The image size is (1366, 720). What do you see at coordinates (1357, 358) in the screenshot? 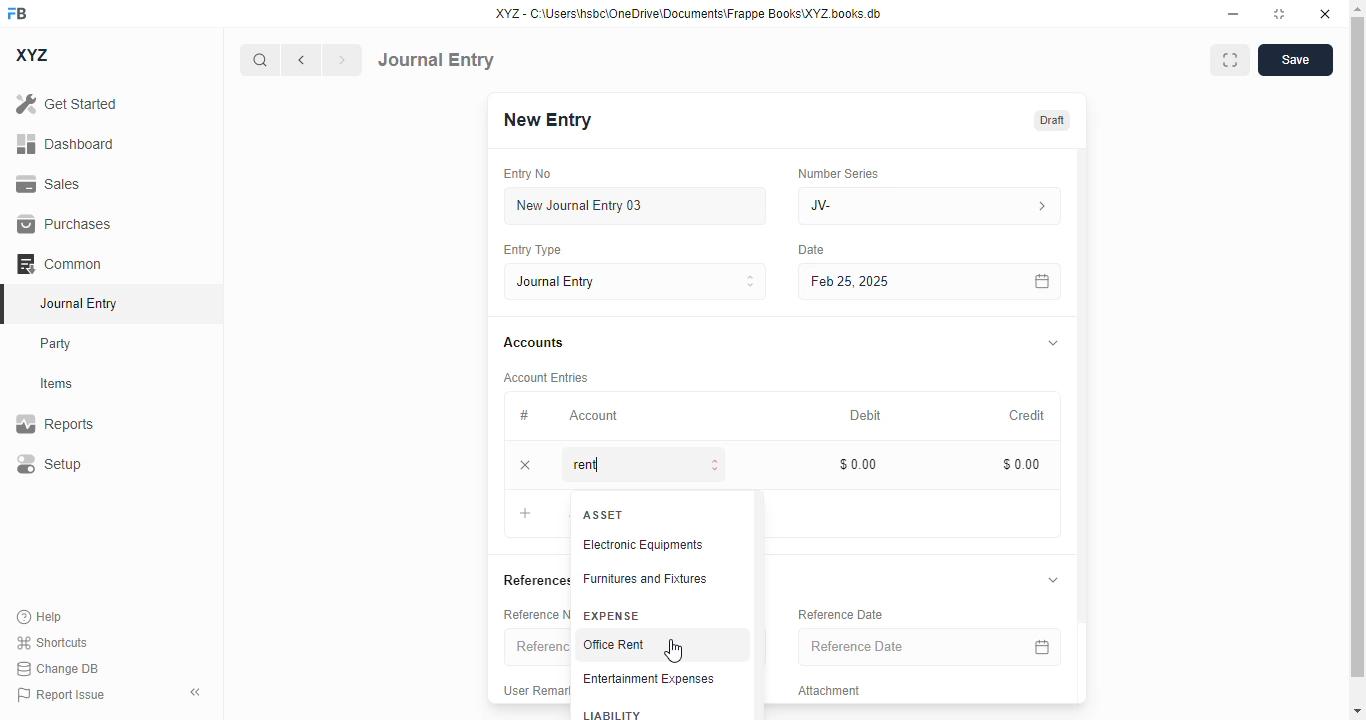
I see `scroll bar` at bounding box center [1357, 358].